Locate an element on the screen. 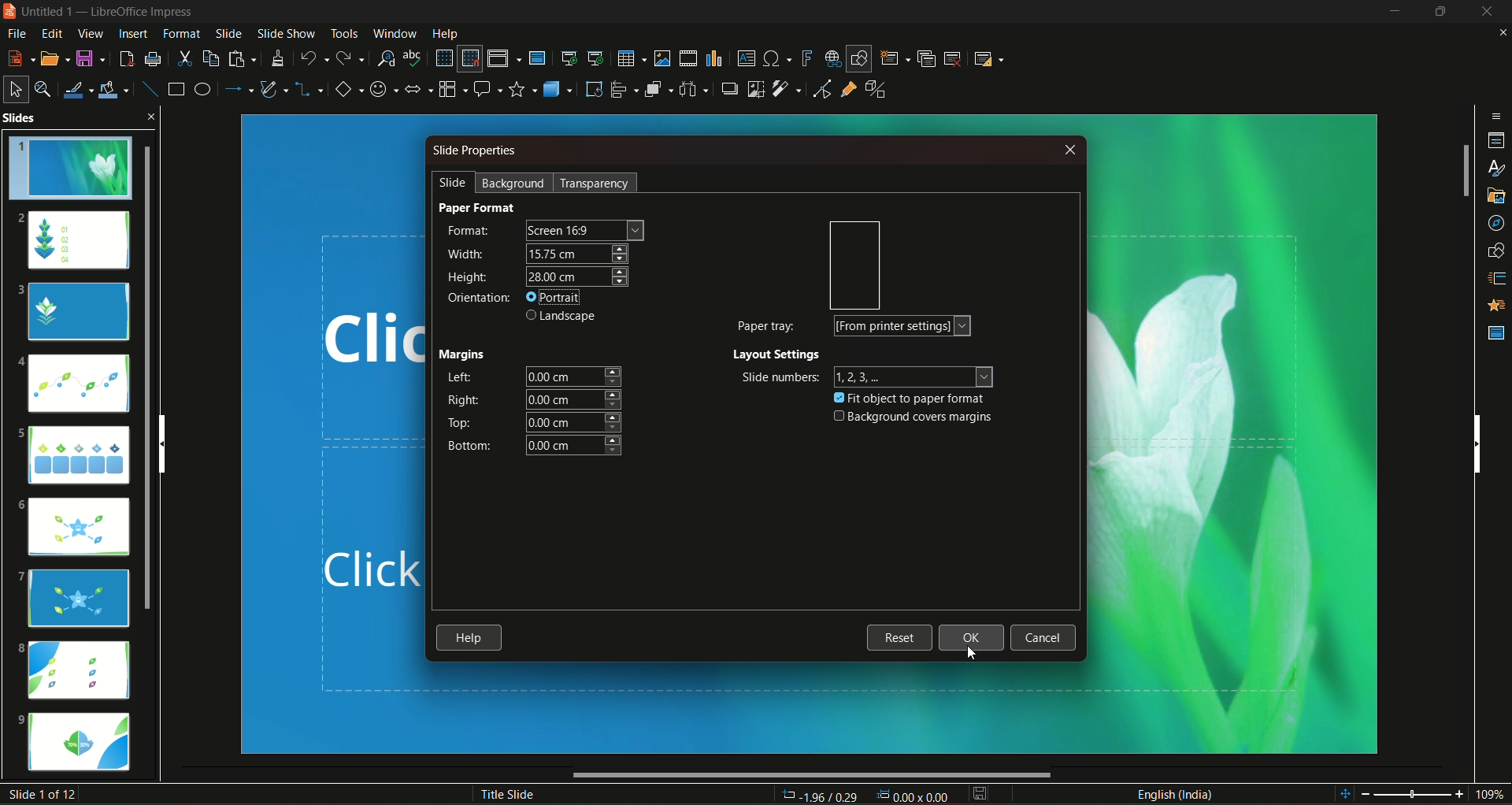 This screenshot has height=805, width=1512. close is located at coordinates (1487, 12).